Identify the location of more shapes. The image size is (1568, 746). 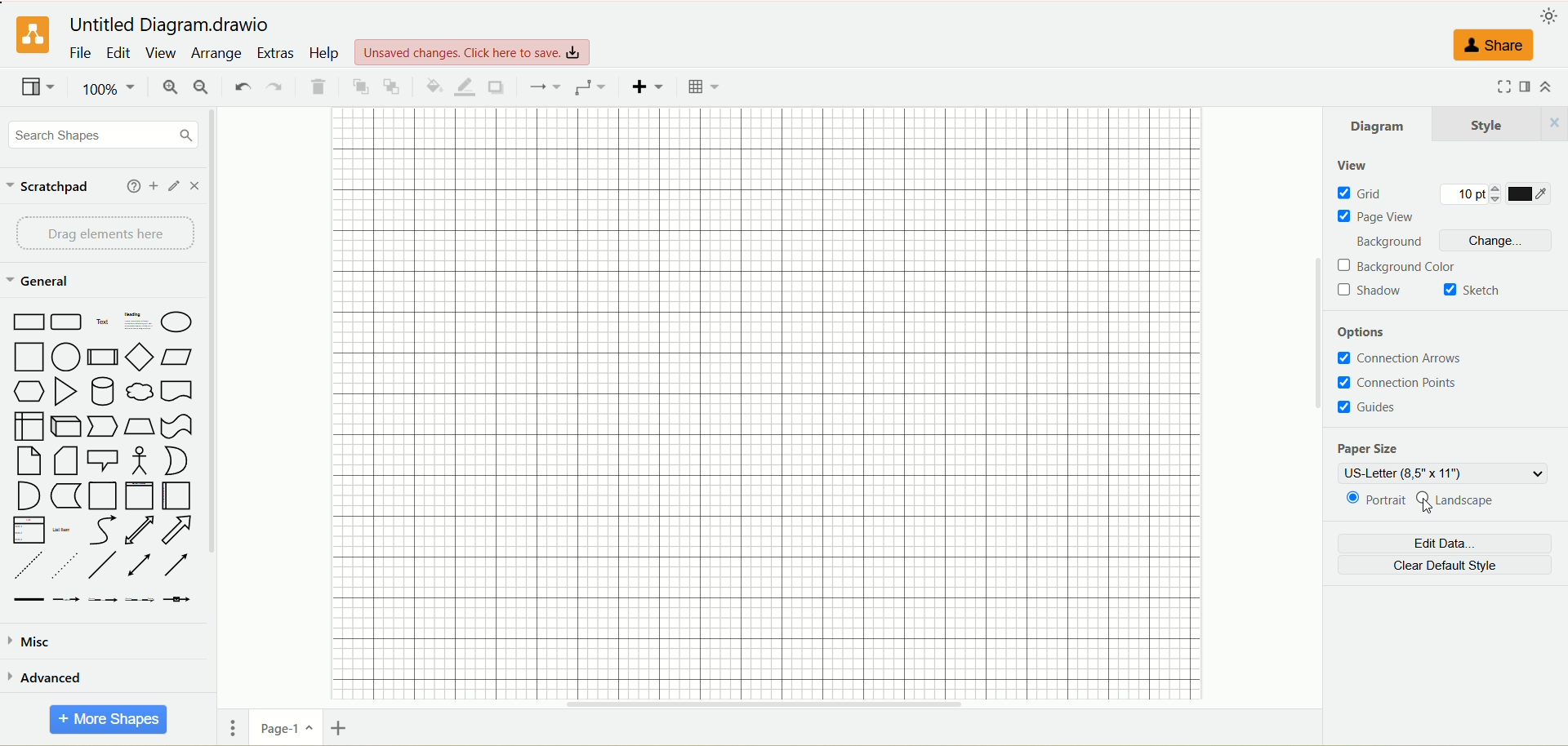
(107, 718).